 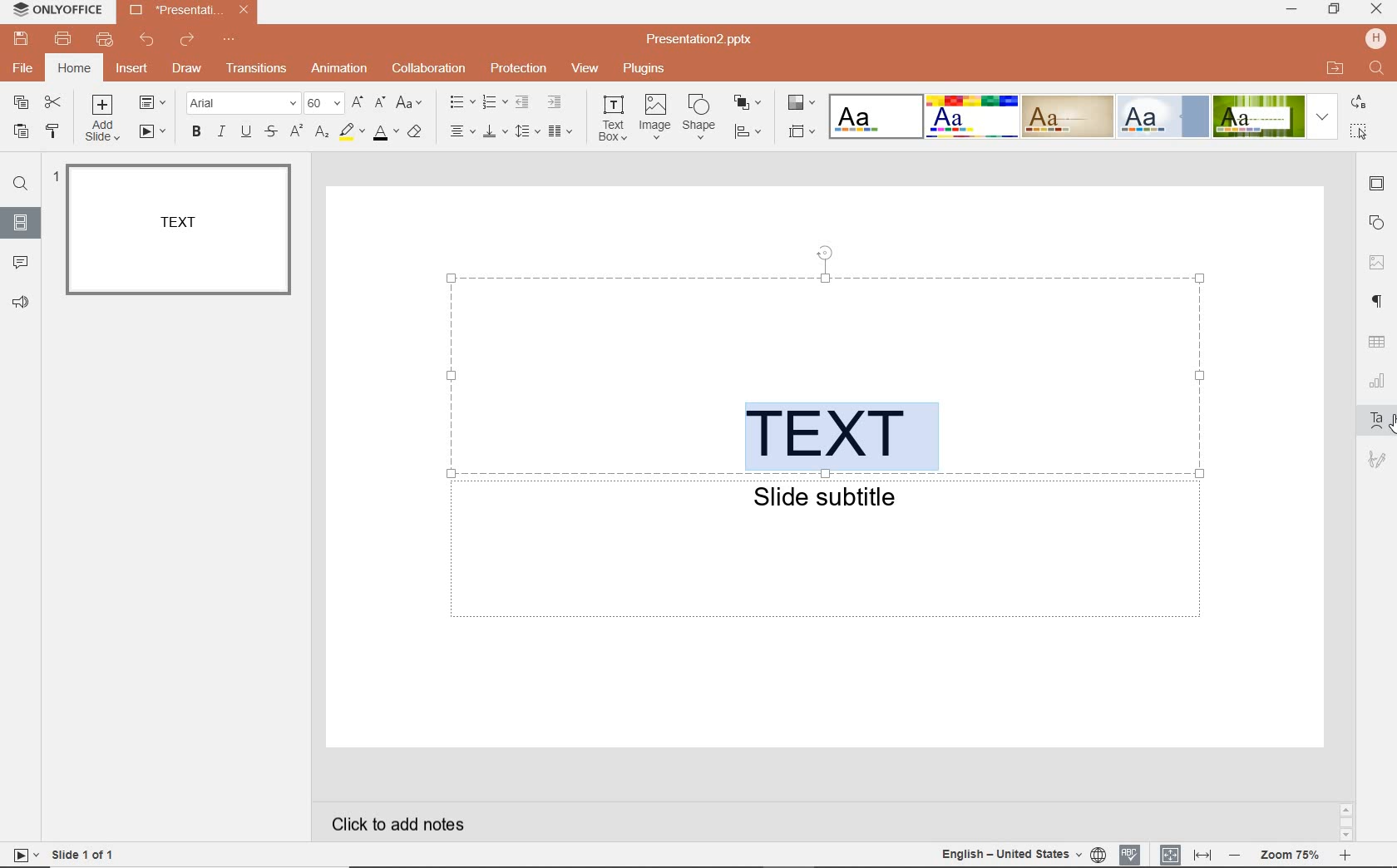 I want to click on BOLD, so click(x=193, y=134).